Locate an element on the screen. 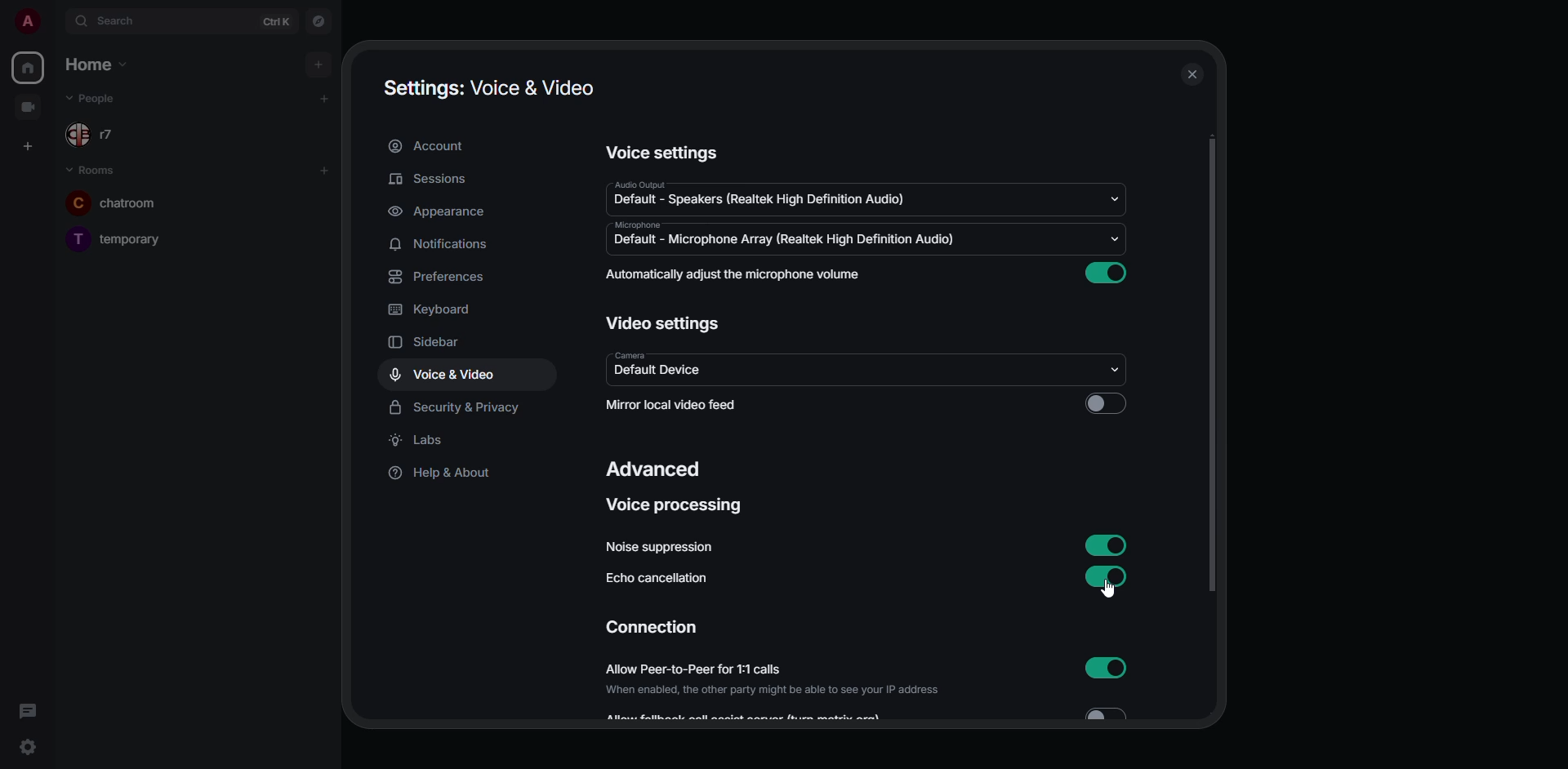 Image resolution: width=1568 pixels, height=769 pixels. add is located at coordinates (327, 172).